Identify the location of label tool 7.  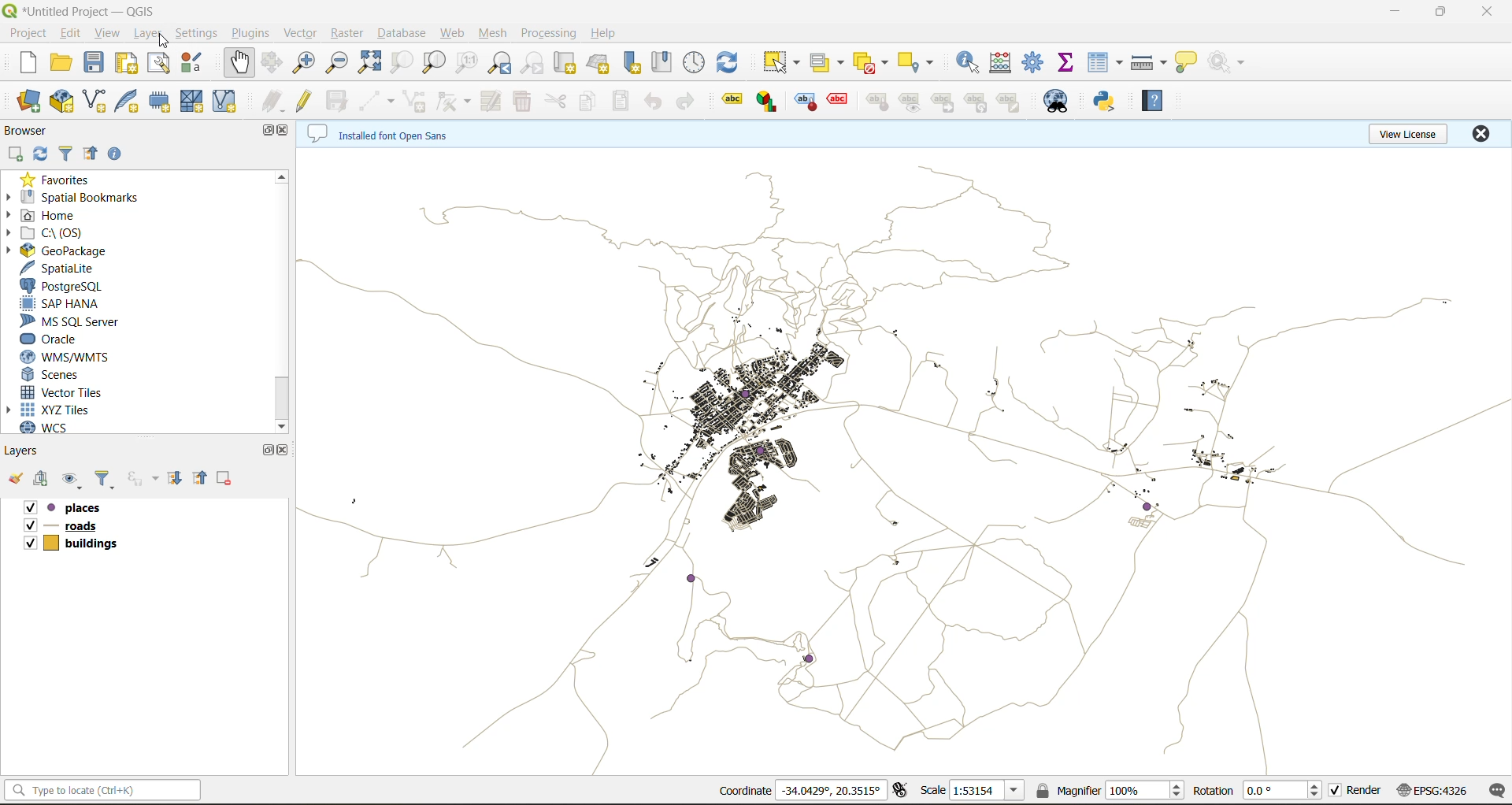
(947, 104).